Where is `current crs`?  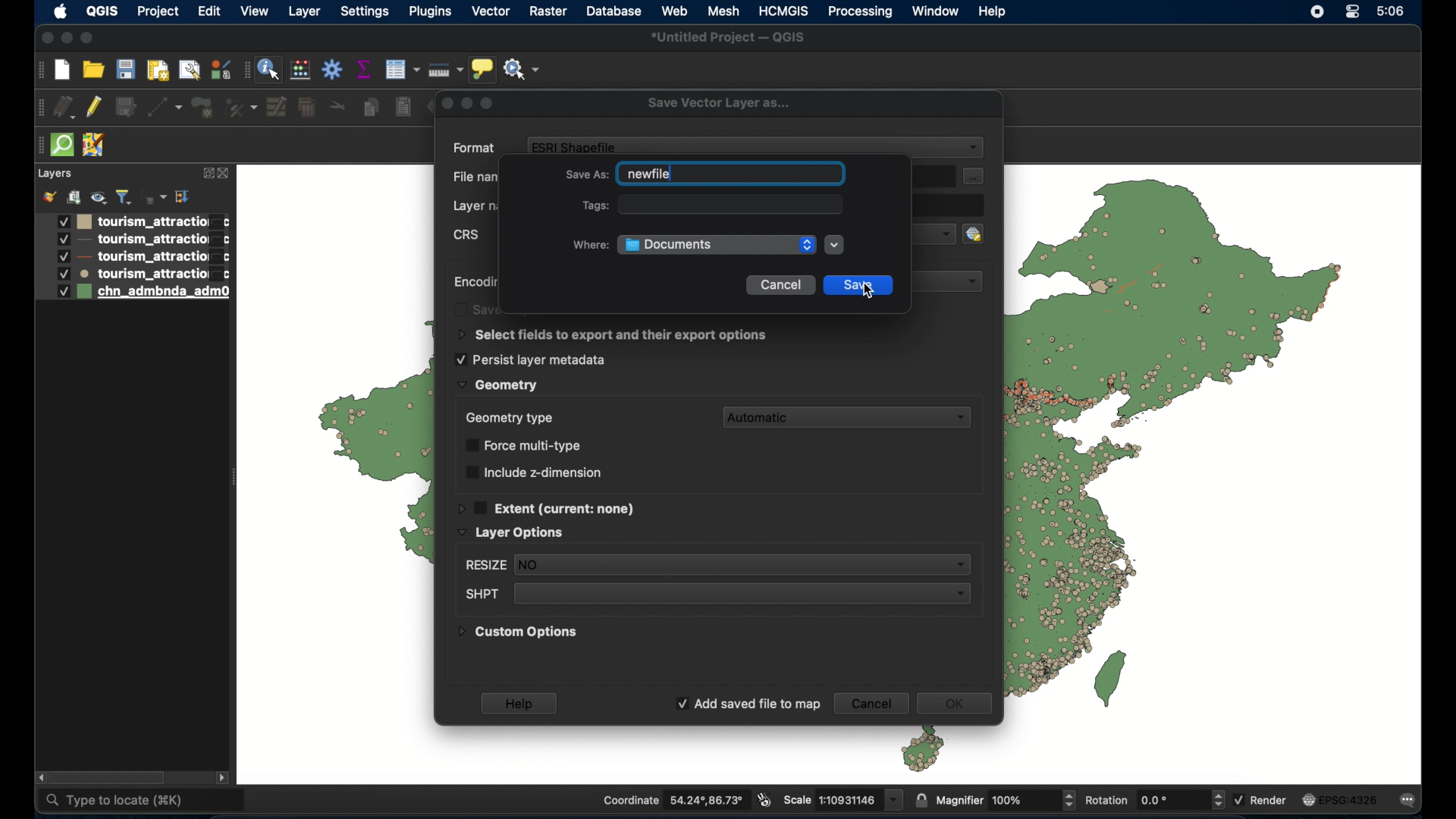
current crs is located at coordinates (1341, 799).